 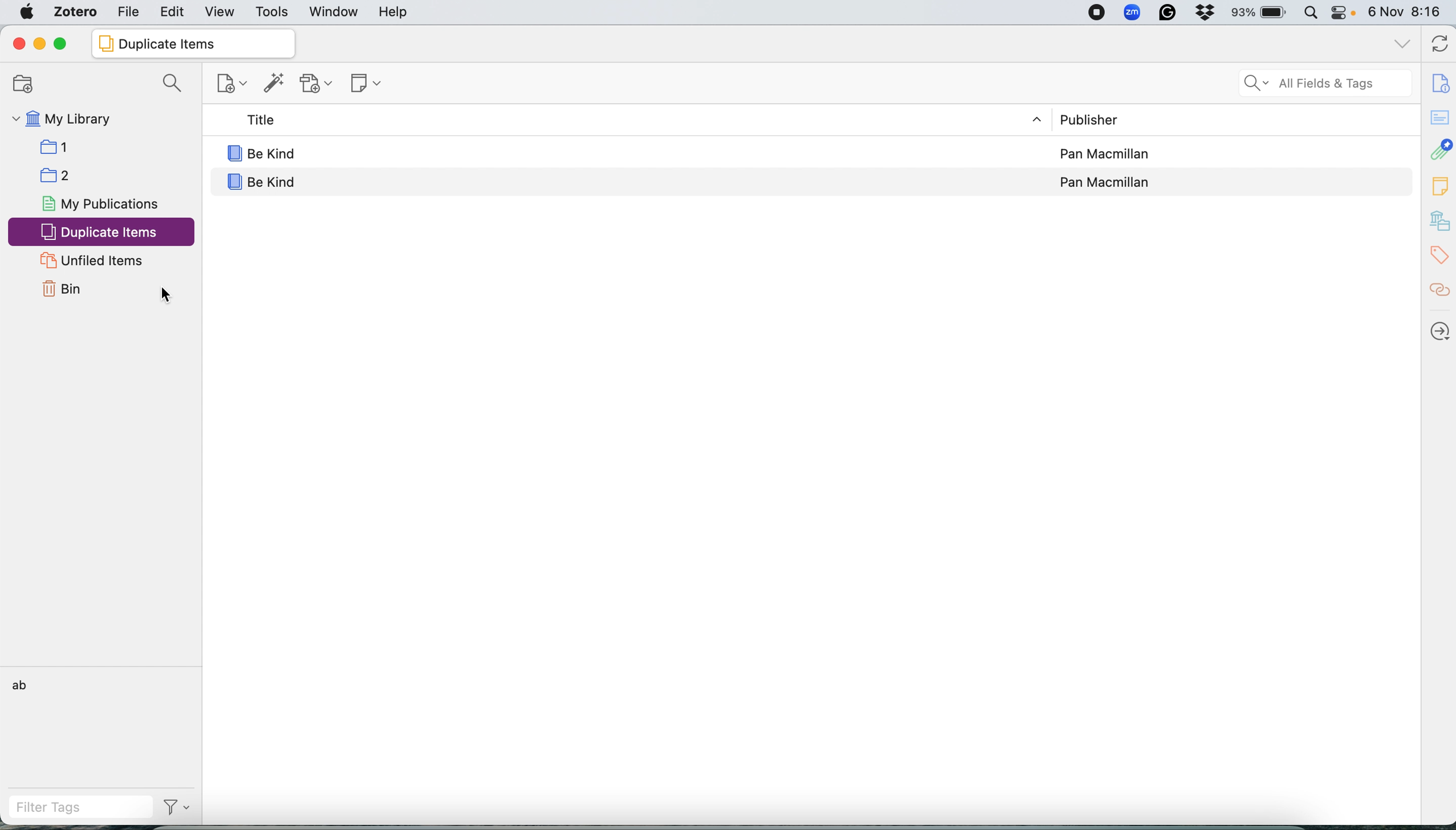 What do you see at coordinates (334, 11) in the screenshot?
I see `window` at bounding box center [334, 11].